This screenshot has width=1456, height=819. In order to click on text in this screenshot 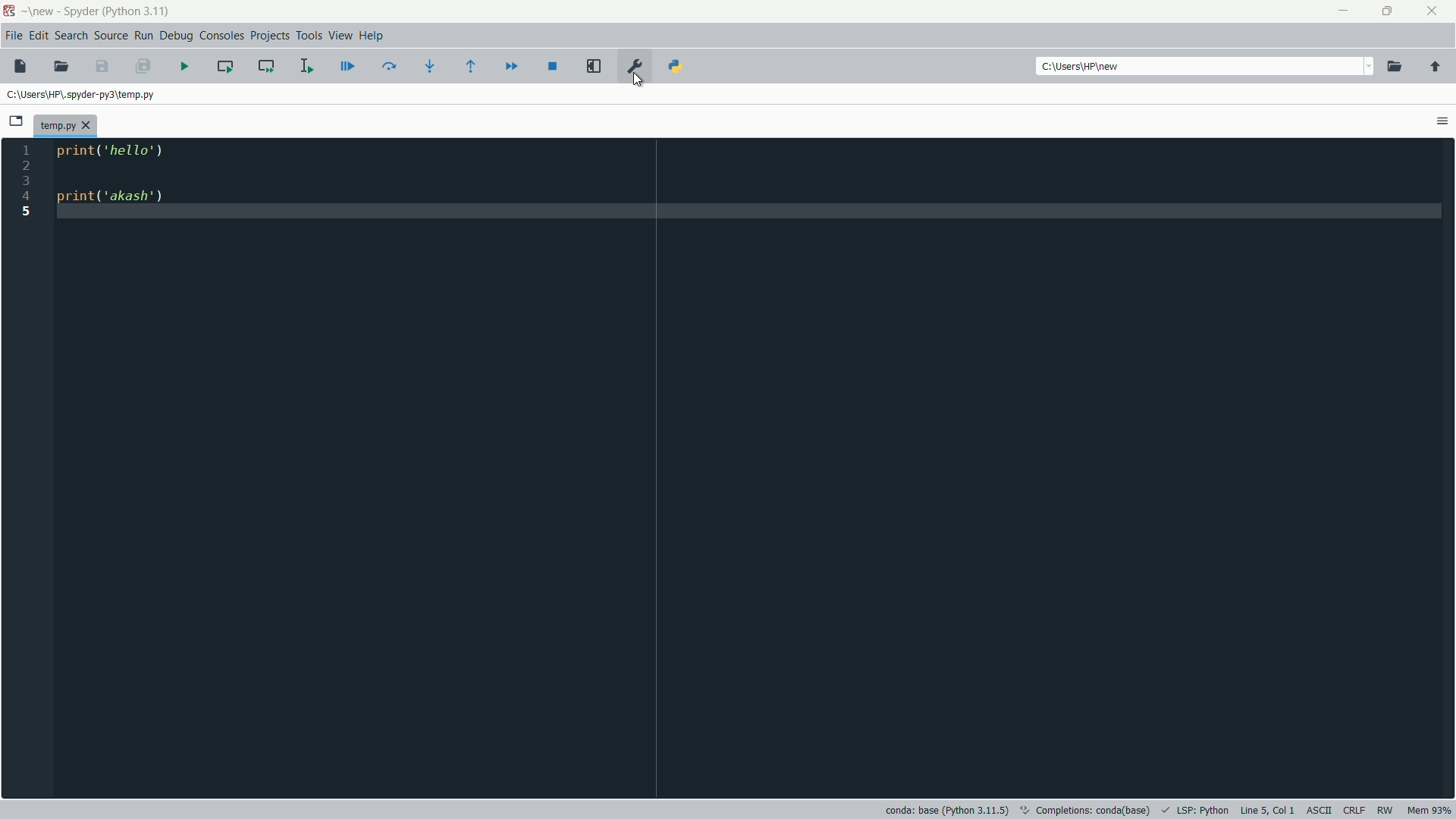, I will do `click(1087, 808)`.